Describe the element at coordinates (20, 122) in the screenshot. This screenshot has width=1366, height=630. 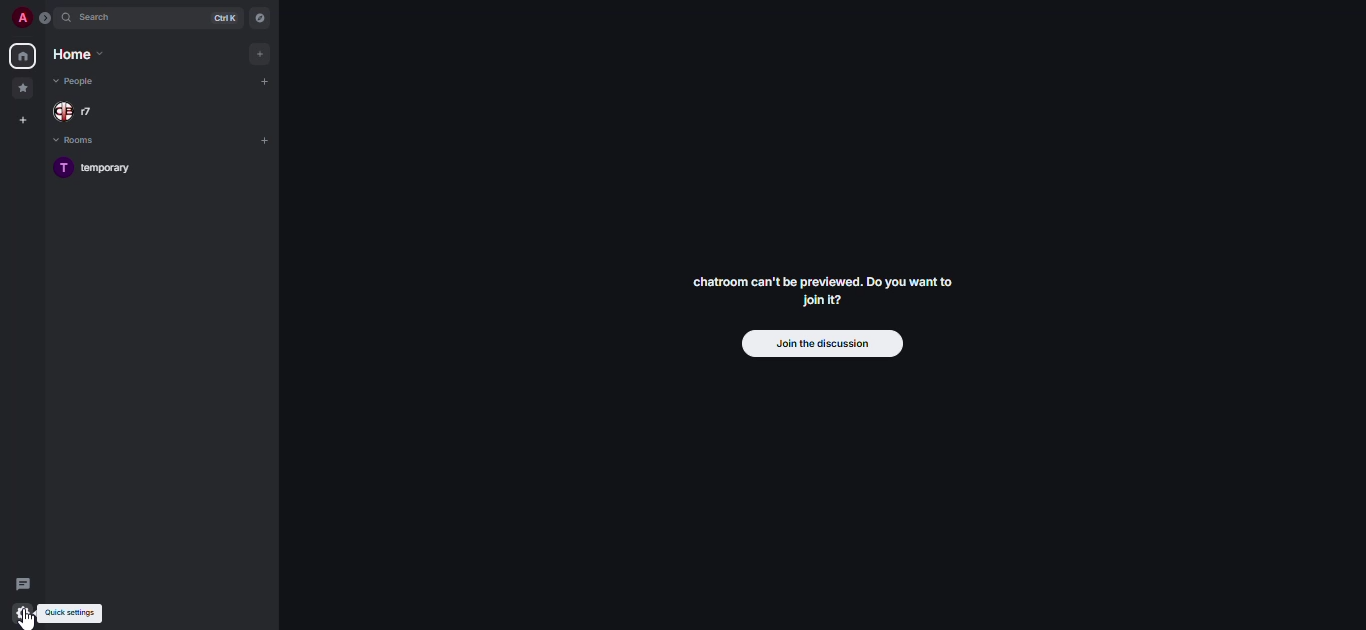
I see `create space` at that location.